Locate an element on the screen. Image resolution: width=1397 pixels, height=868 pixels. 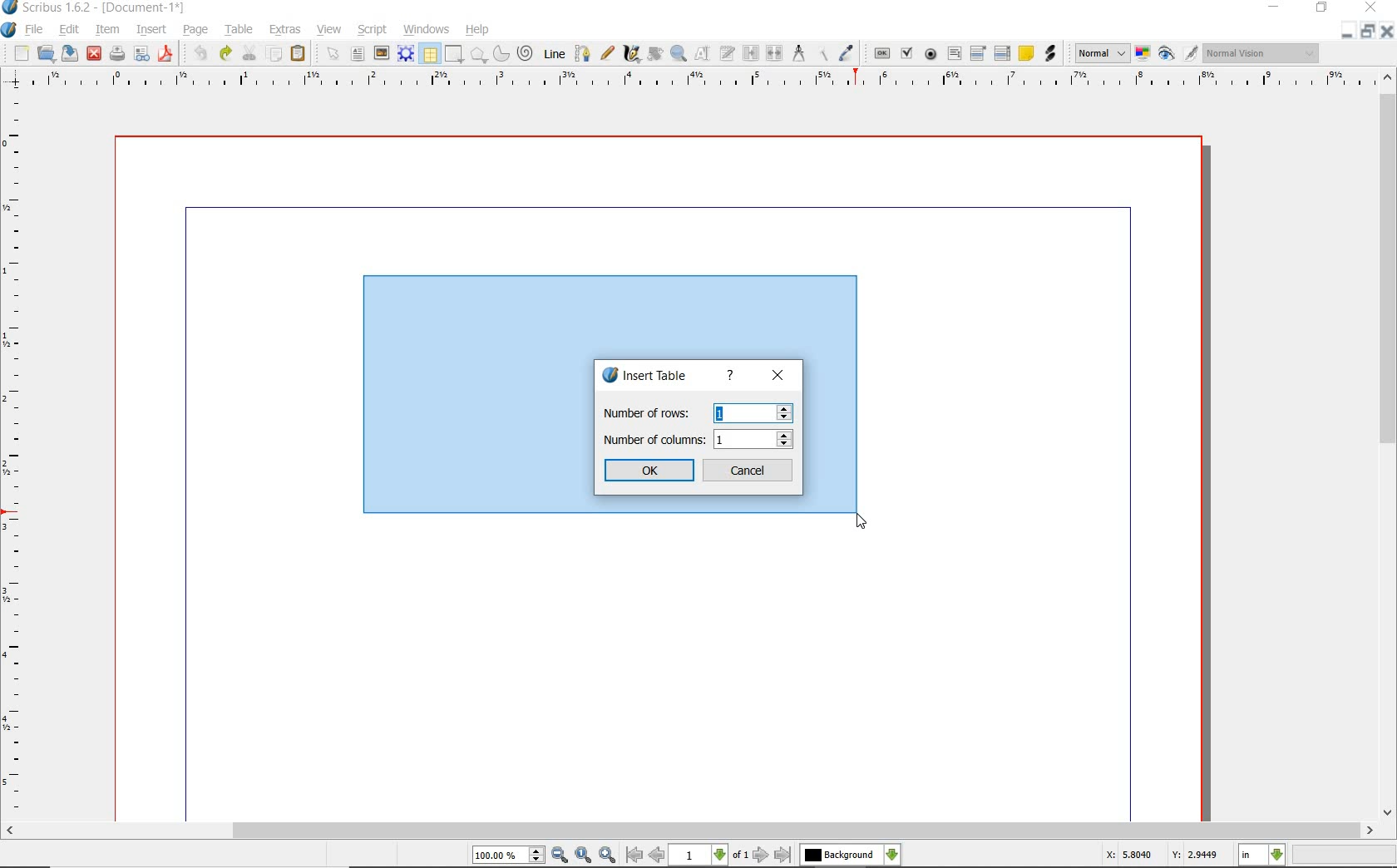
close is located at coordinates (1386, 32).